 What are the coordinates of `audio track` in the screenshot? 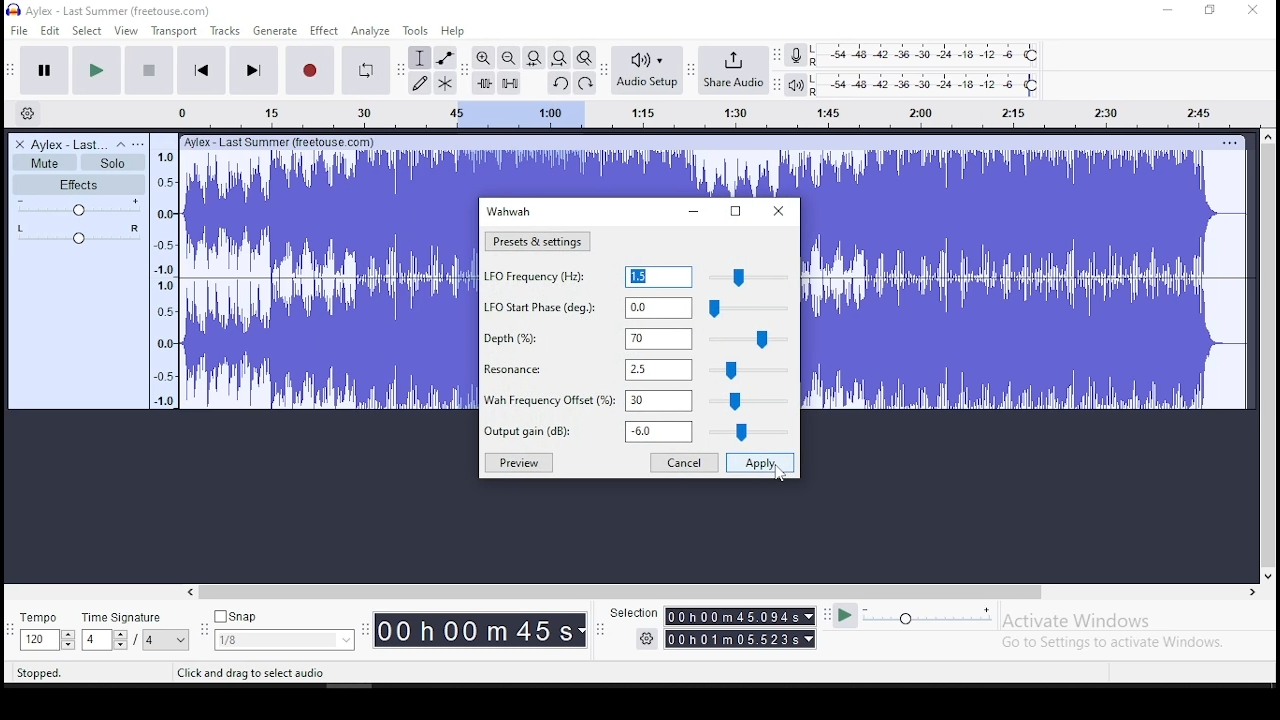 It's located at (1026, 281).